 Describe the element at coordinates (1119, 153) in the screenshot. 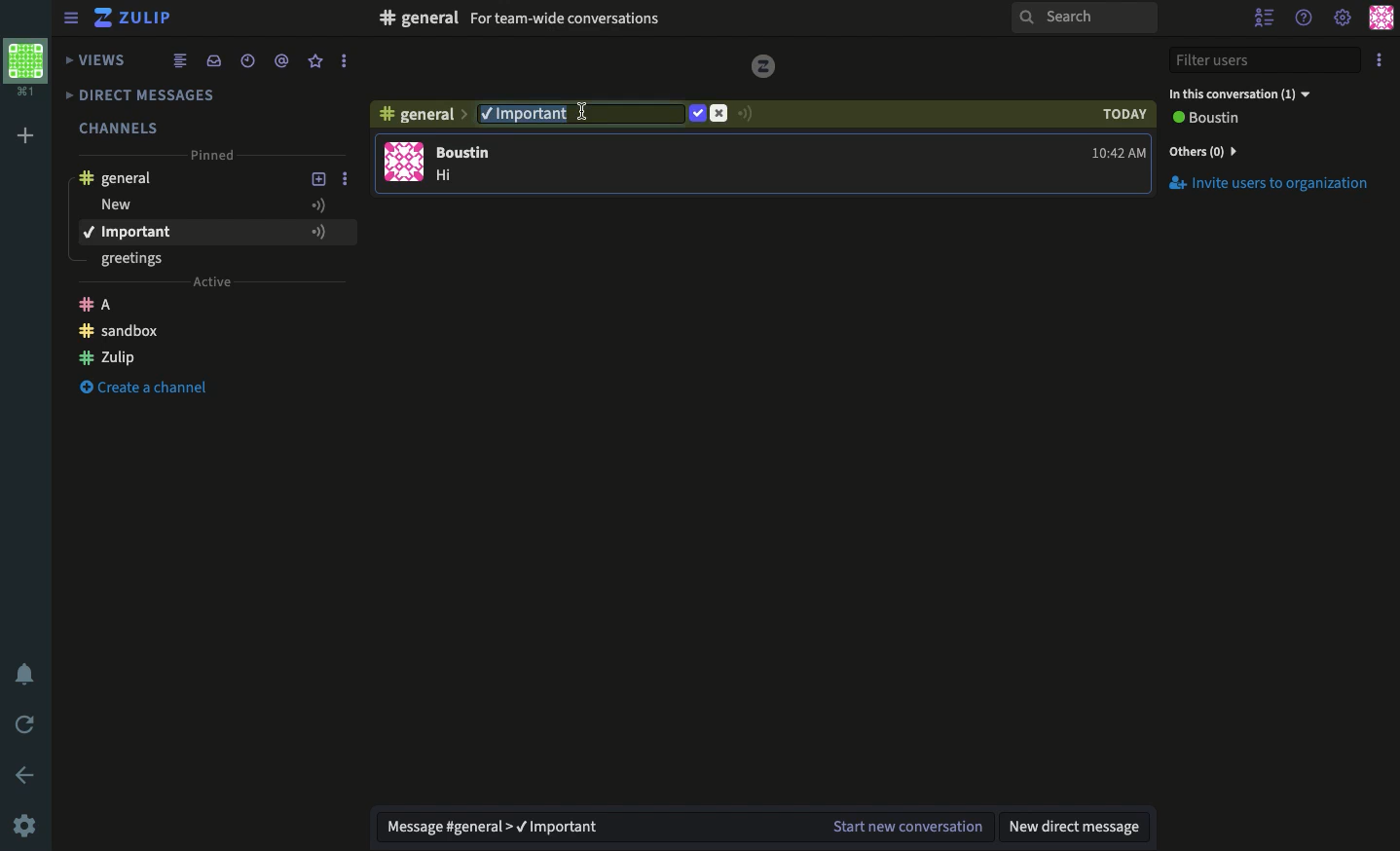

I see `time` at that location.